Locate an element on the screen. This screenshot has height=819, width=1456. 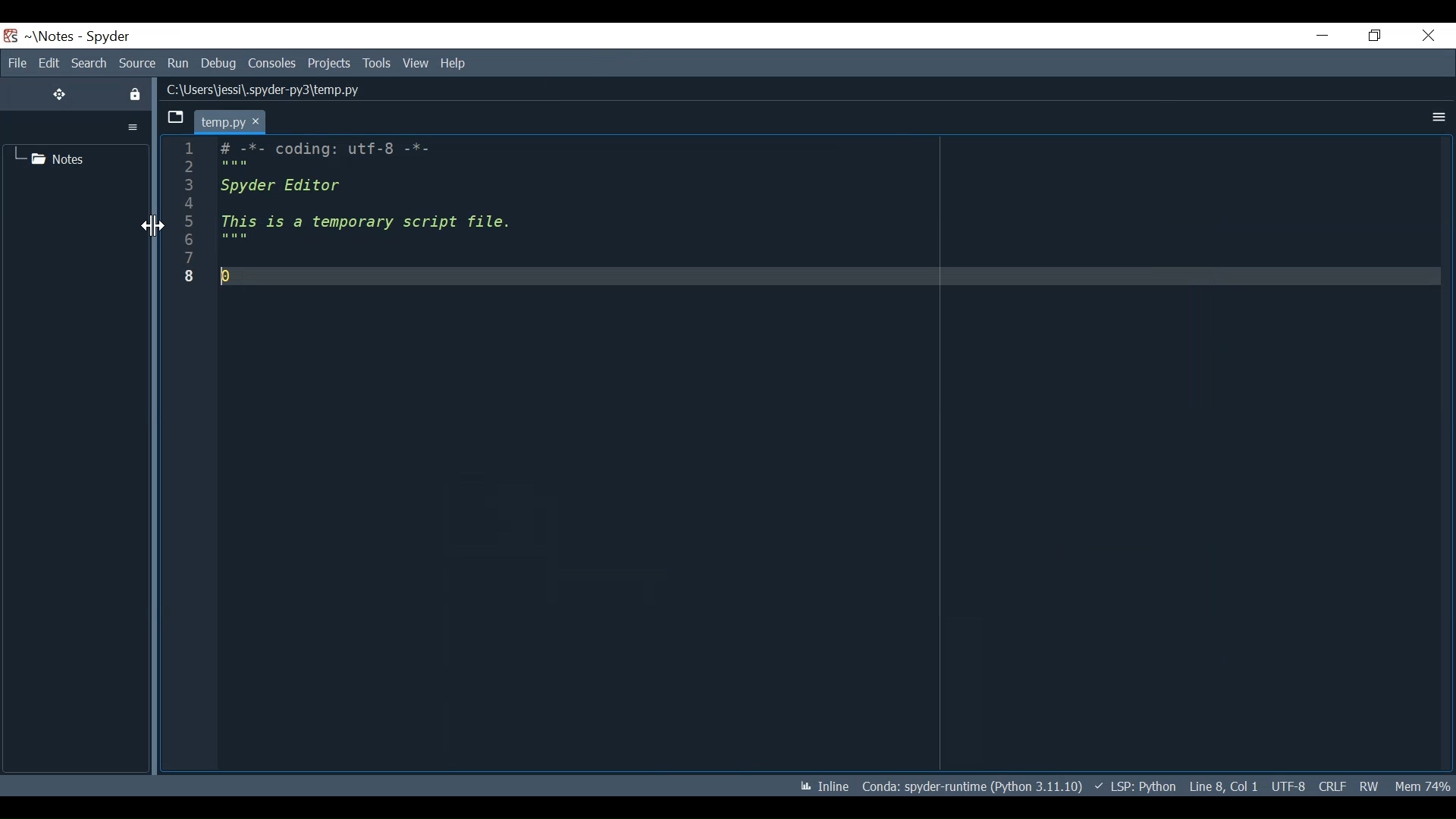
Run is located at coordinates (177, 63).